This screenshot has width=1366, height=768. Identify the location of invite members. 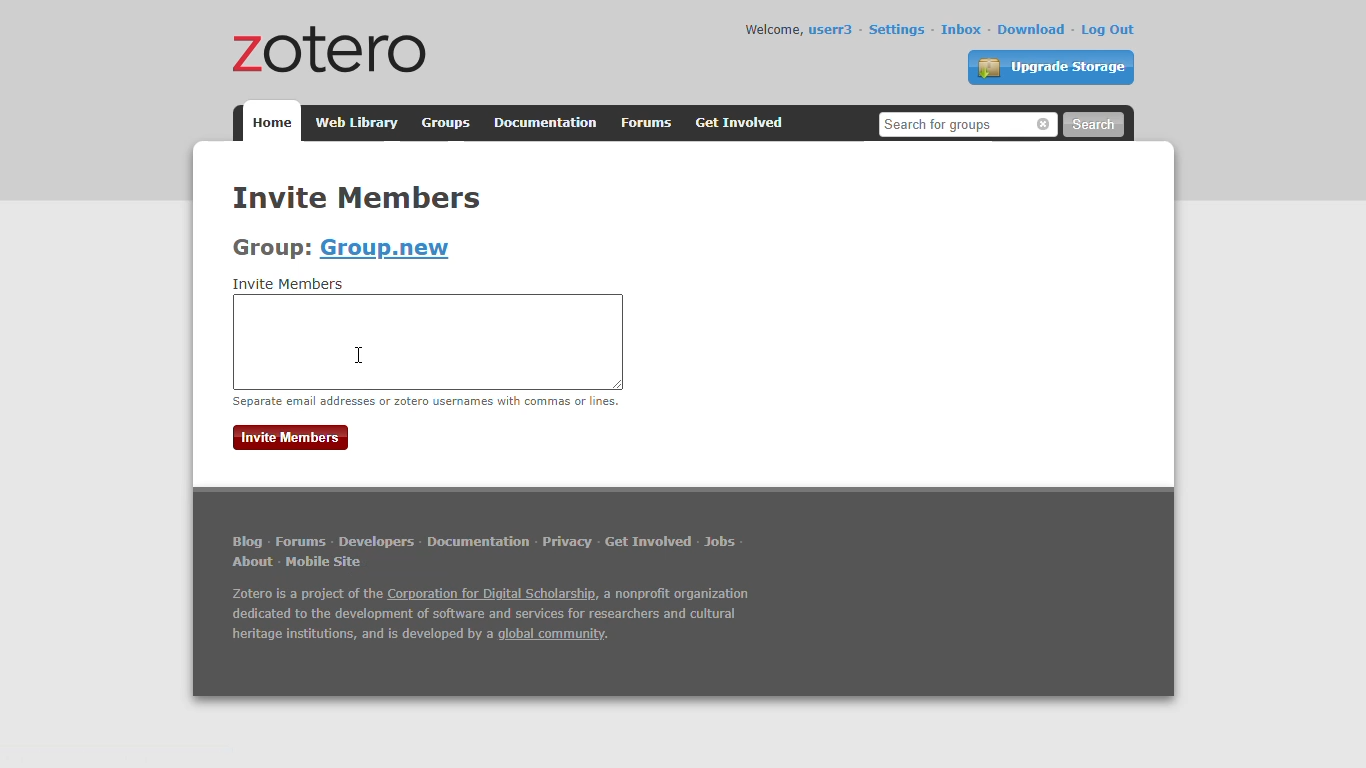
(291, 437).